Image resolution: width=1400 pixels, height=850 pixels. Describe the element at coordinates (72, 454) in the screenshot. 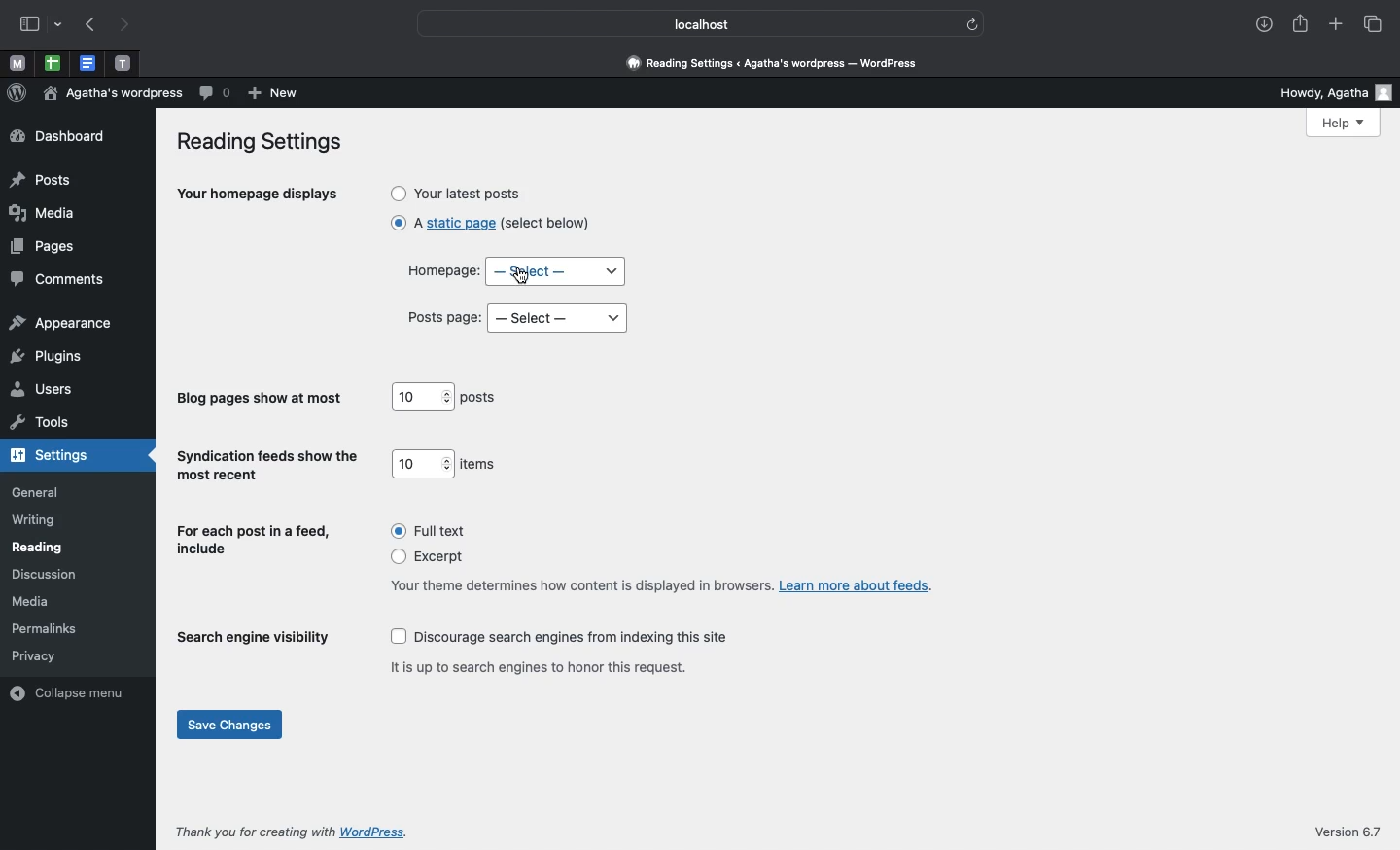

I see `settings` at that location.